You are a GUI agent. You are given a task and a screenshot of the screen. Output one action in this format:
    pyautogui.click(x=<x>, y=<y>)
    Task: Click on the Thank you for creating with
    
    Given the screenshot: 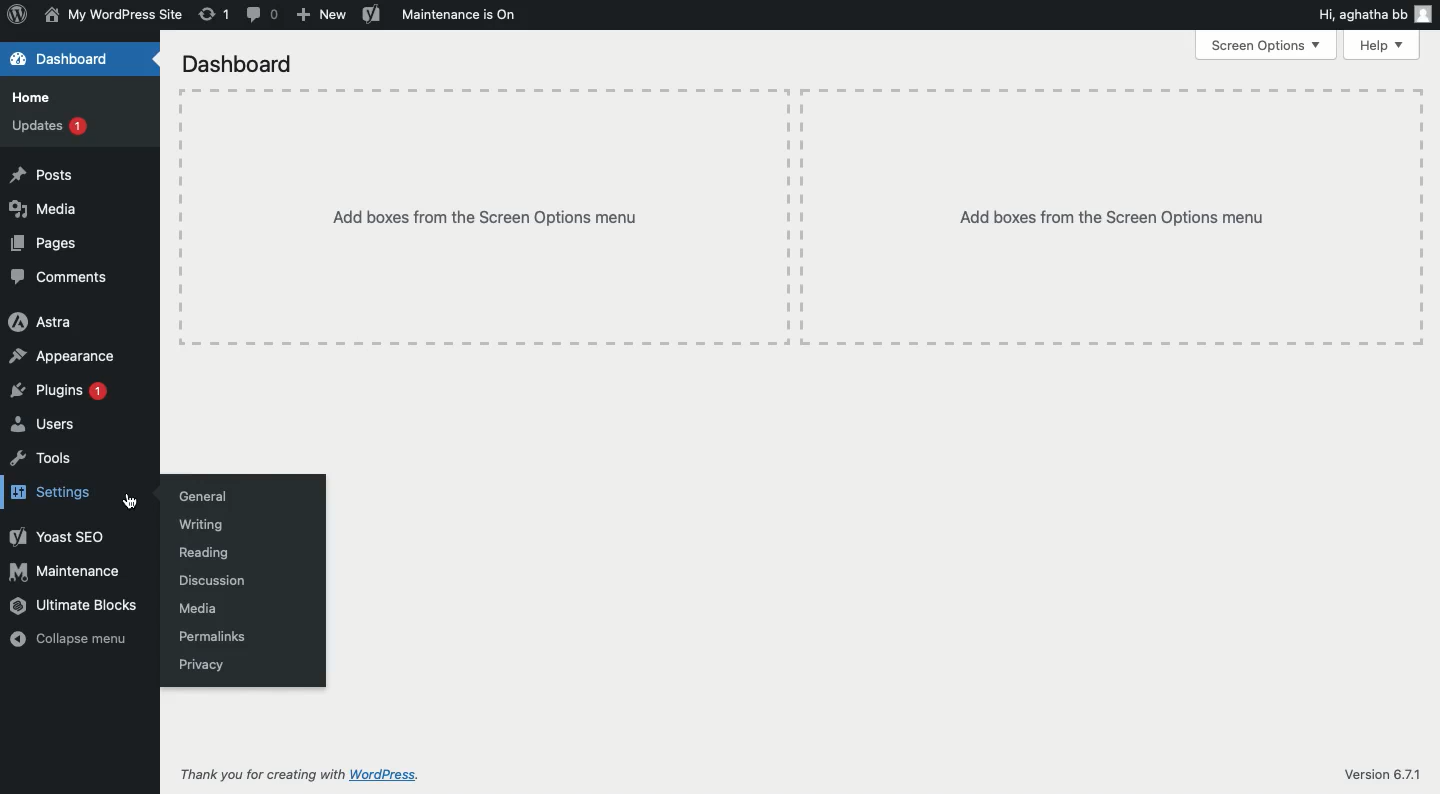 What is the action you would take?
    pyautogui.click(x=262, y=775)
    